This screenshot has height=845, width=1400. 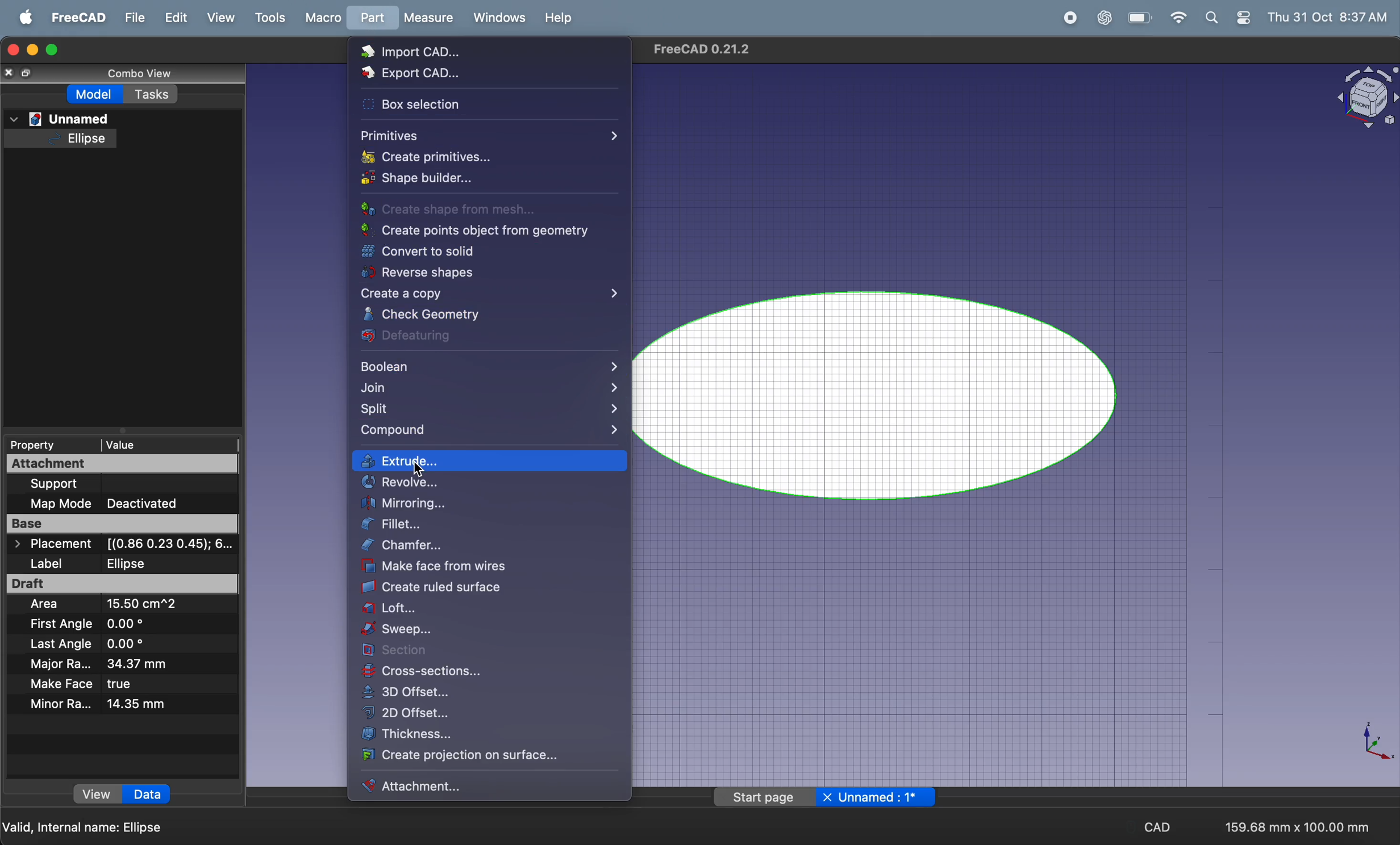 I want to click on fillet, so click(x=485, y=525).